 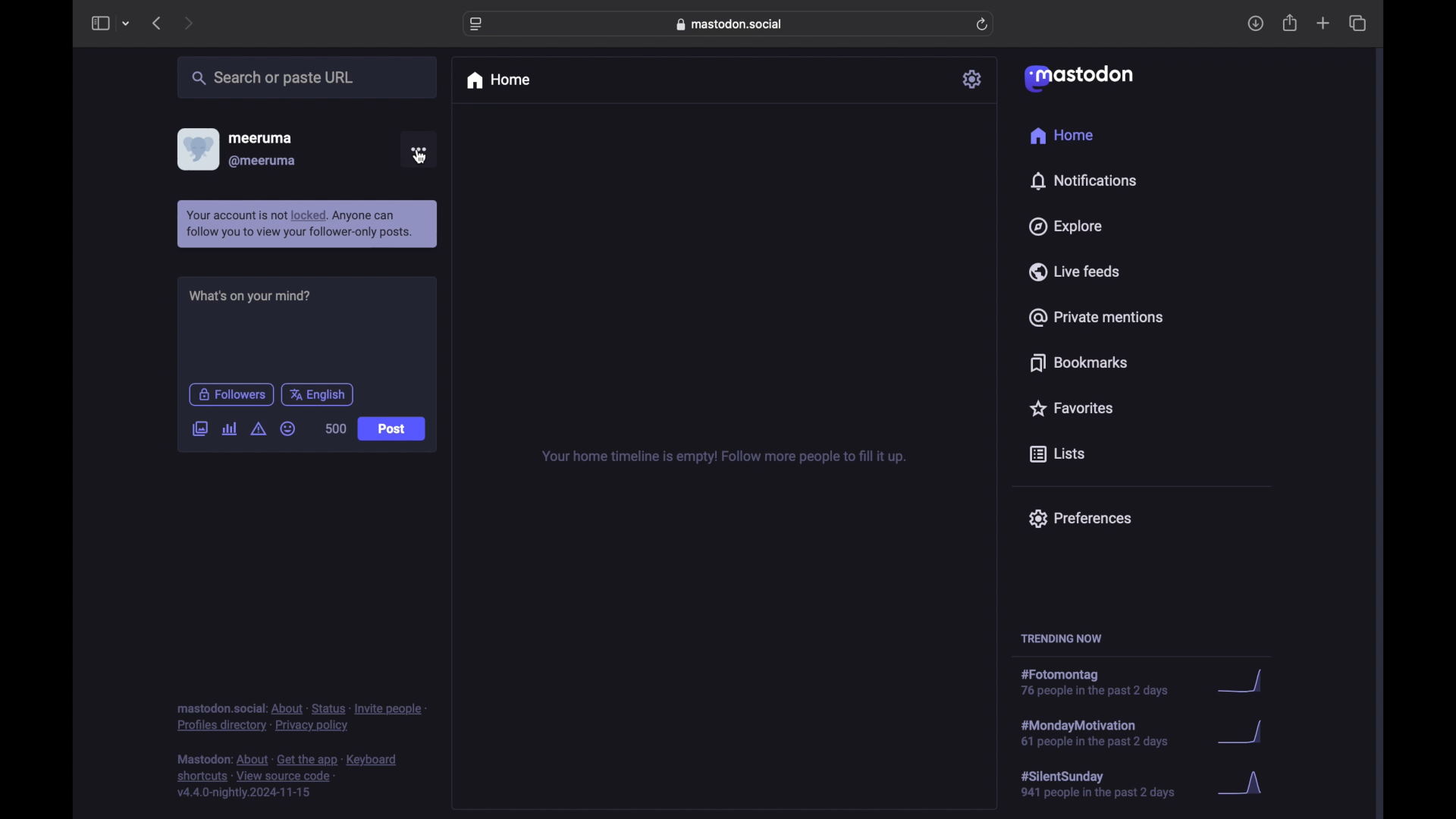 I want to click on followers, so click(x=231, y=394).